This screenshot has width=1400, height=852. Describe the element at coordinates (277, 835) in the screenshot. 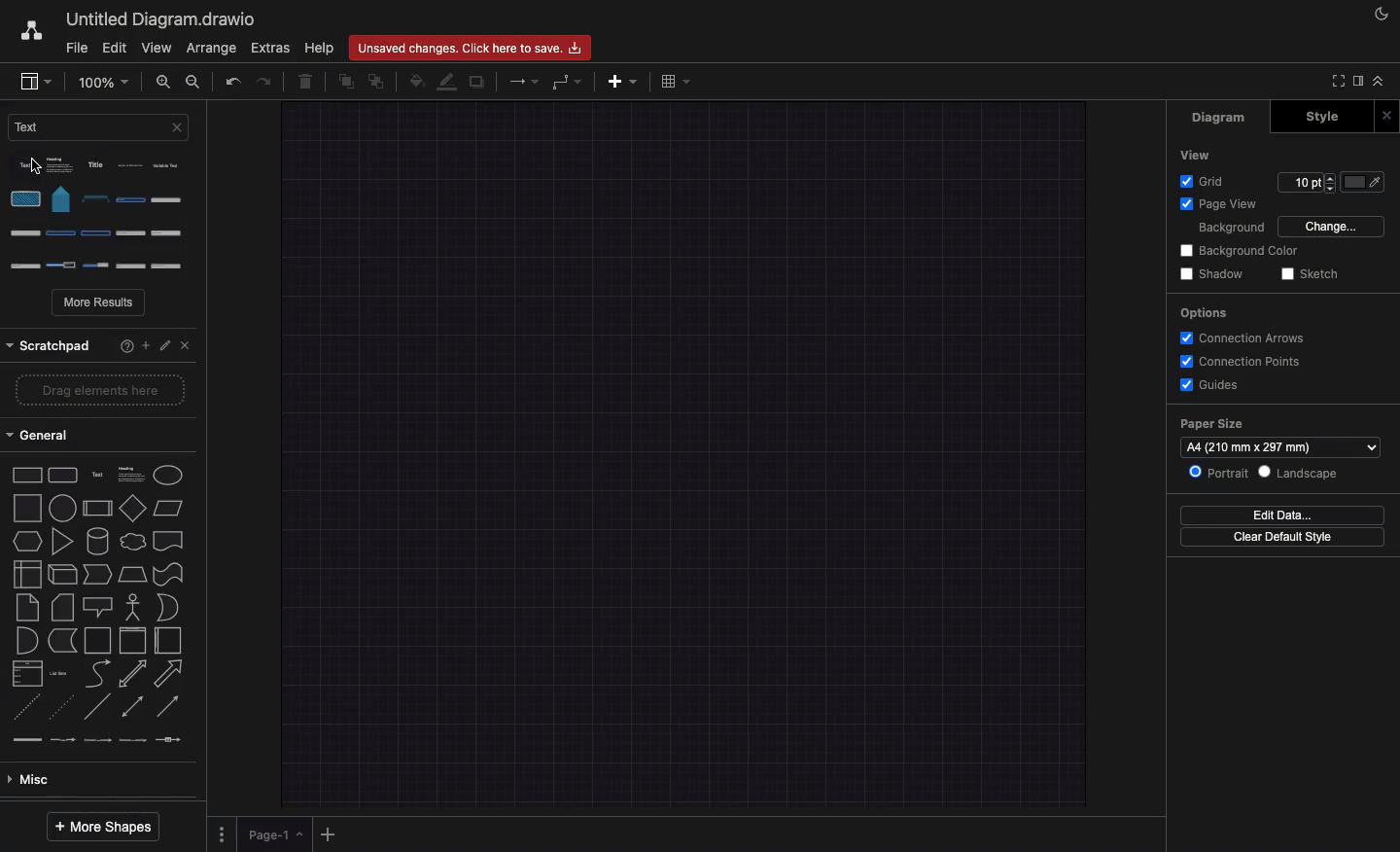

I see `Page 1` at that location.